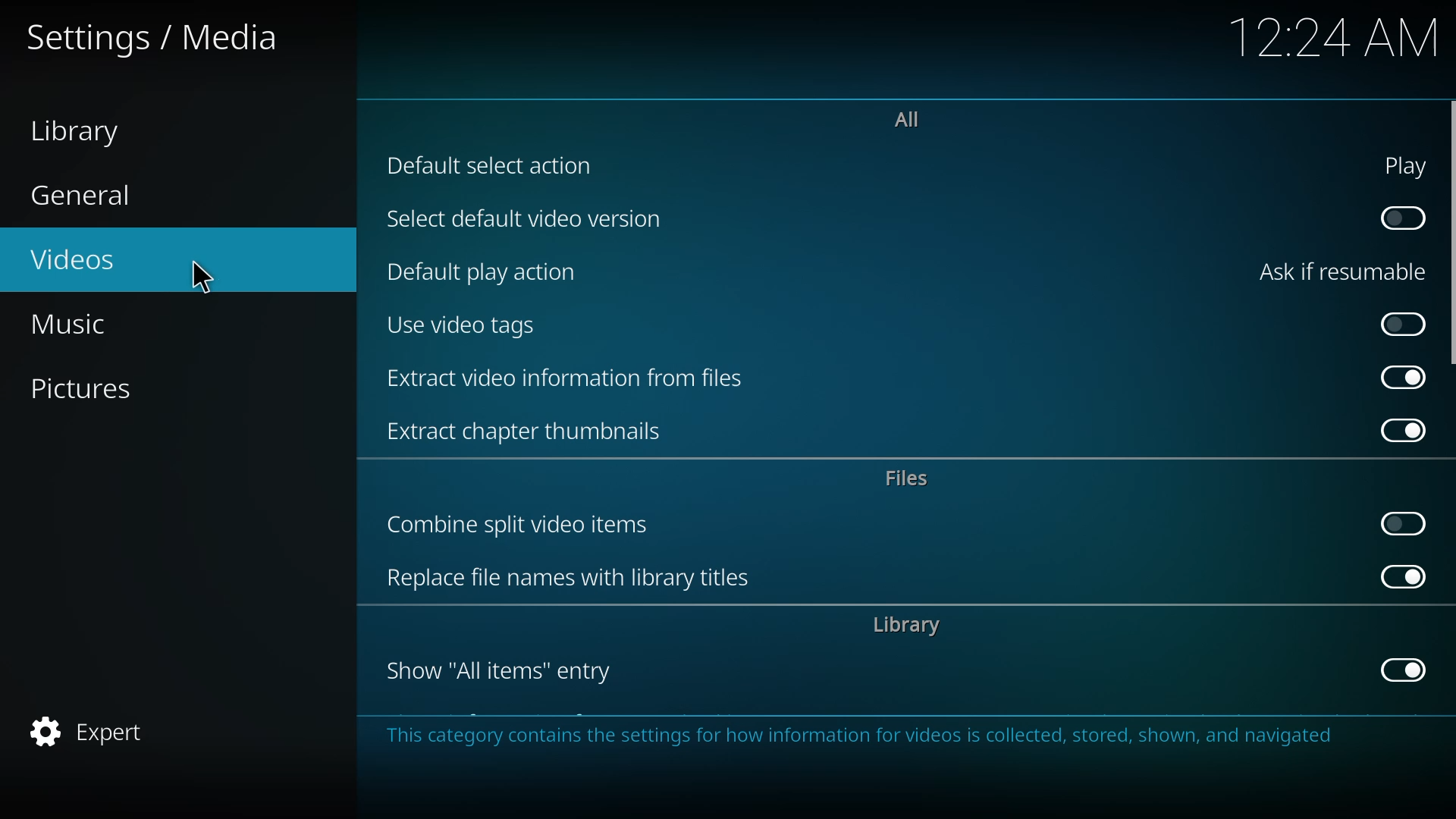 This screenshot has height=819, width=1456. Describe the element at coordinates (1406, 164) in the screenshot. I see `play` at that location.